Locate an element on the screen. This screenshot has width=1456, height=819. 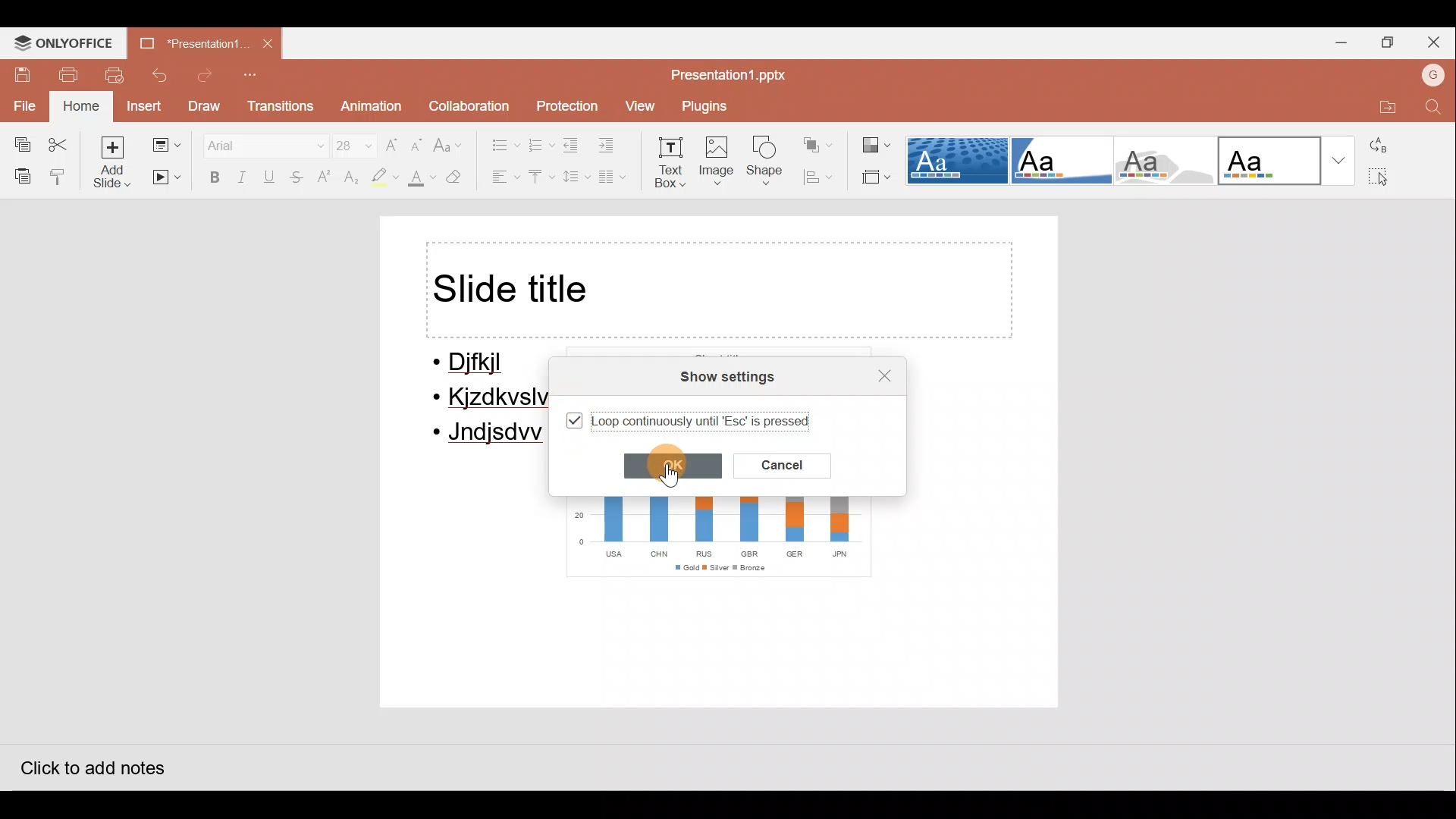
Jndjsdw is located at coordinates (490, 435).